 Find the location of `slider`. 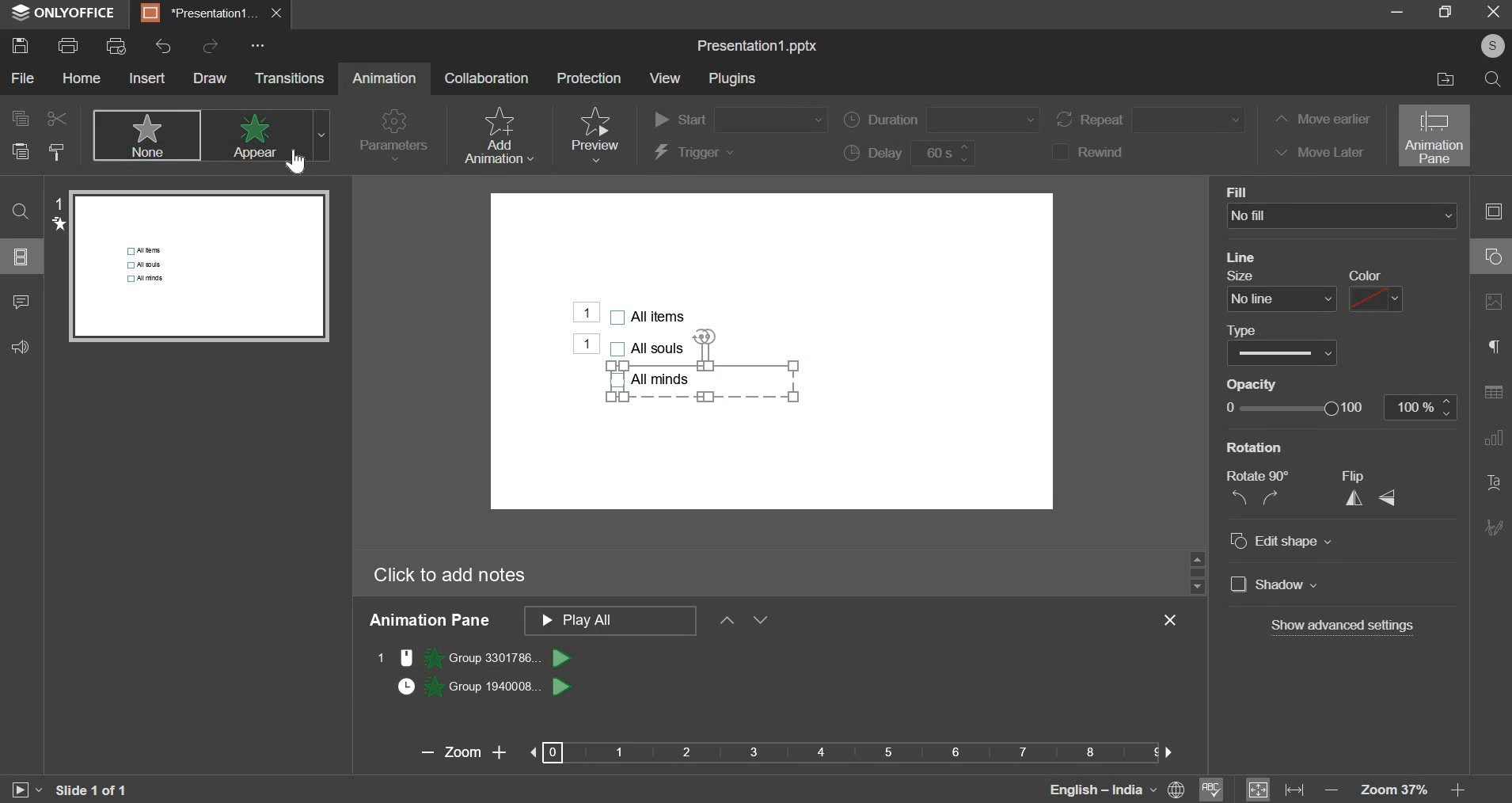

slider is located at coordinates (1196, 571).